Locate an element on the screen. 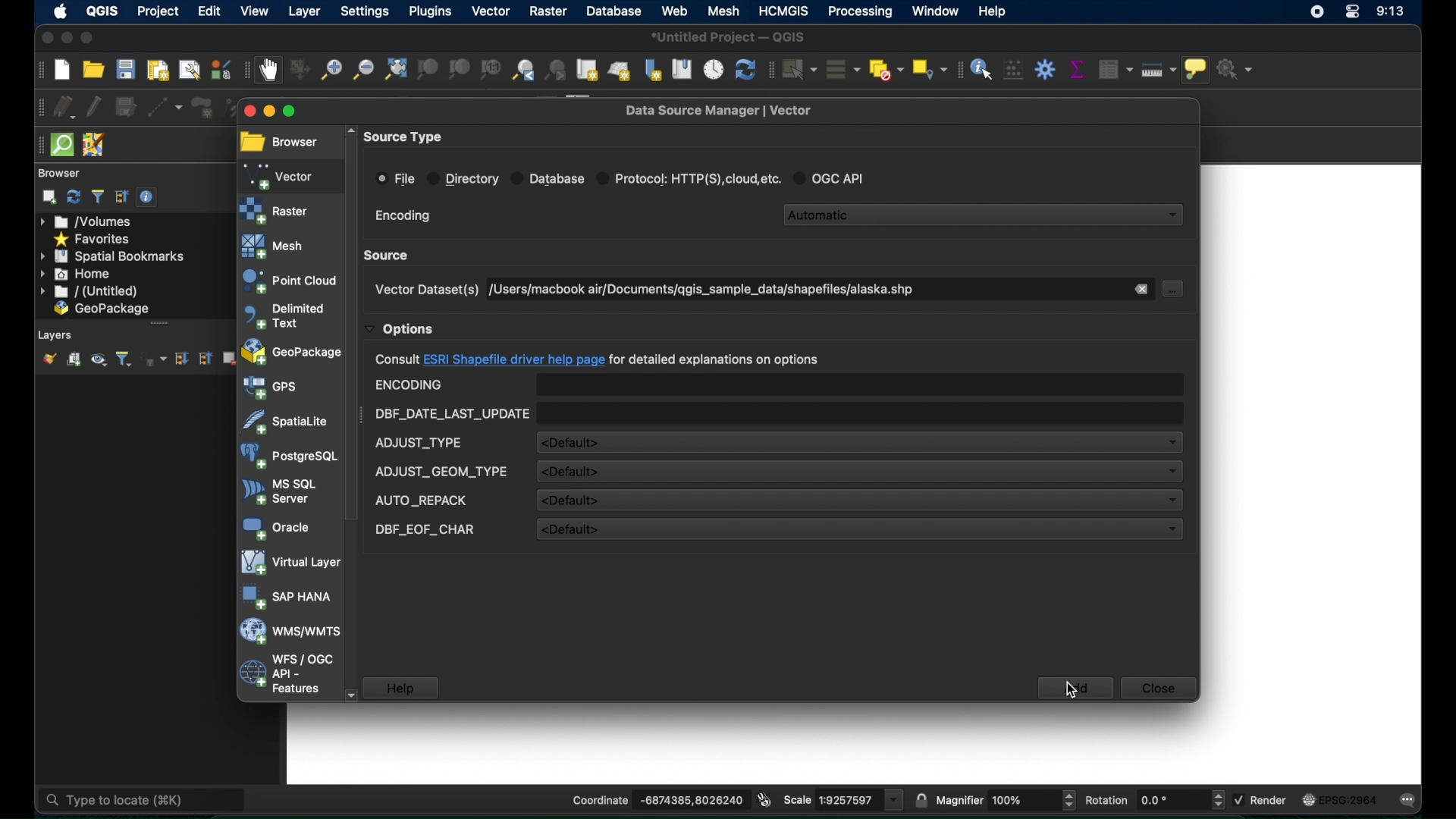 The height and width of the screenshot is (819, 1456). time is located at coordinates (1392, 12).